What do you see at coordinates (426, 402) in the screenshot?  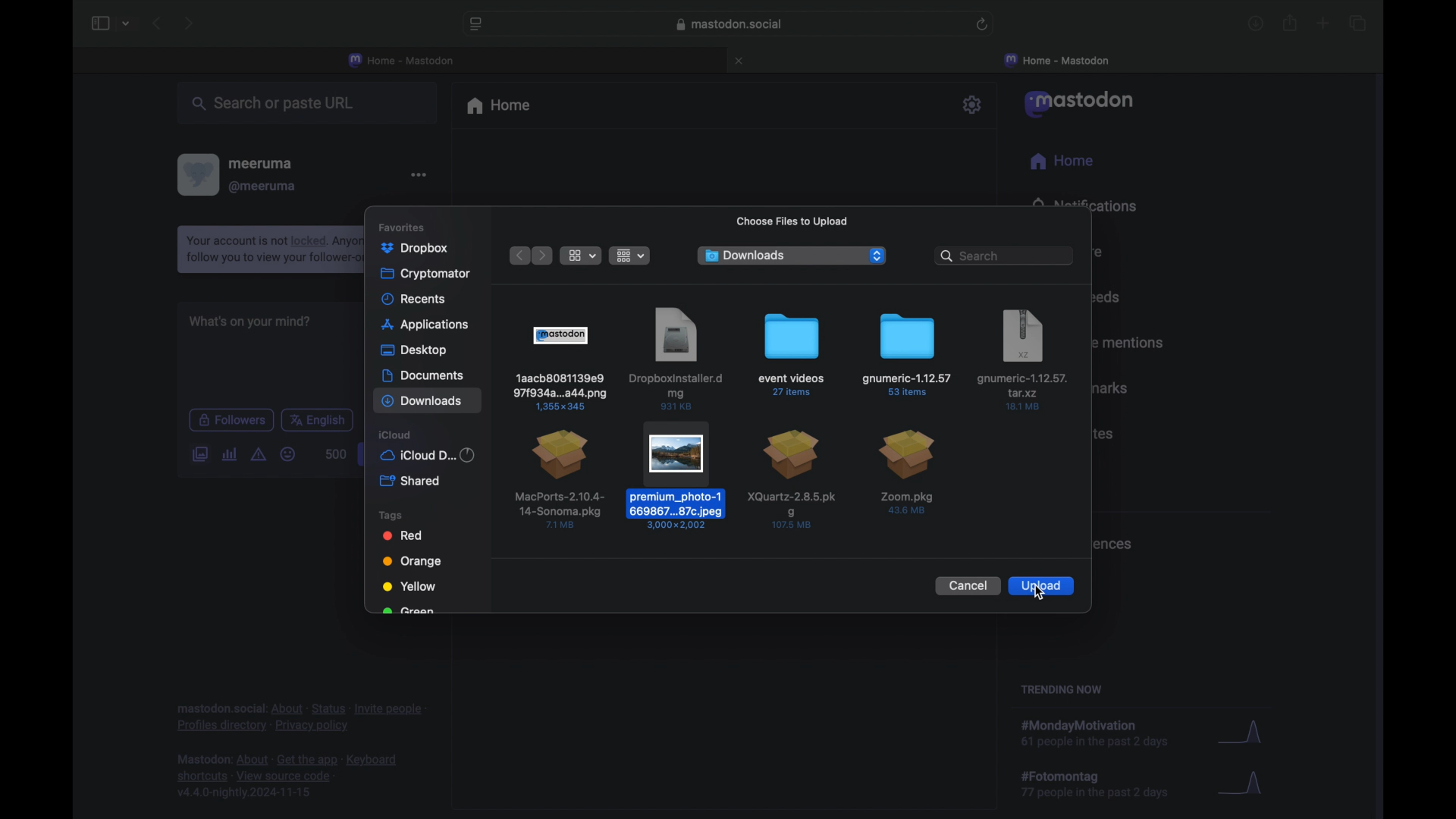 I see `downloads highlighted` at bounding box center [426, 402].